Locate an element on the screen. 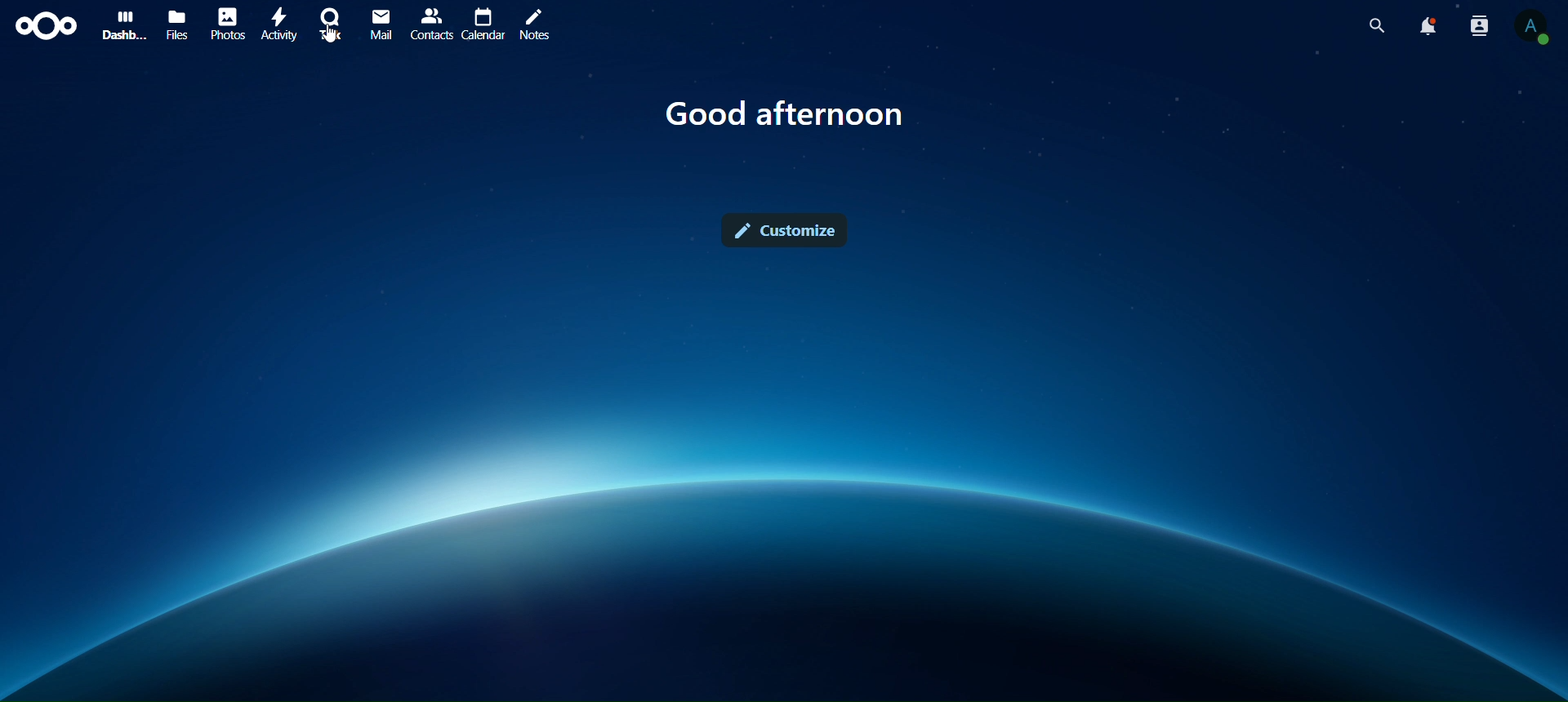 This screenshot has height=702, width=1568. files is located at coordinates (176, 26).